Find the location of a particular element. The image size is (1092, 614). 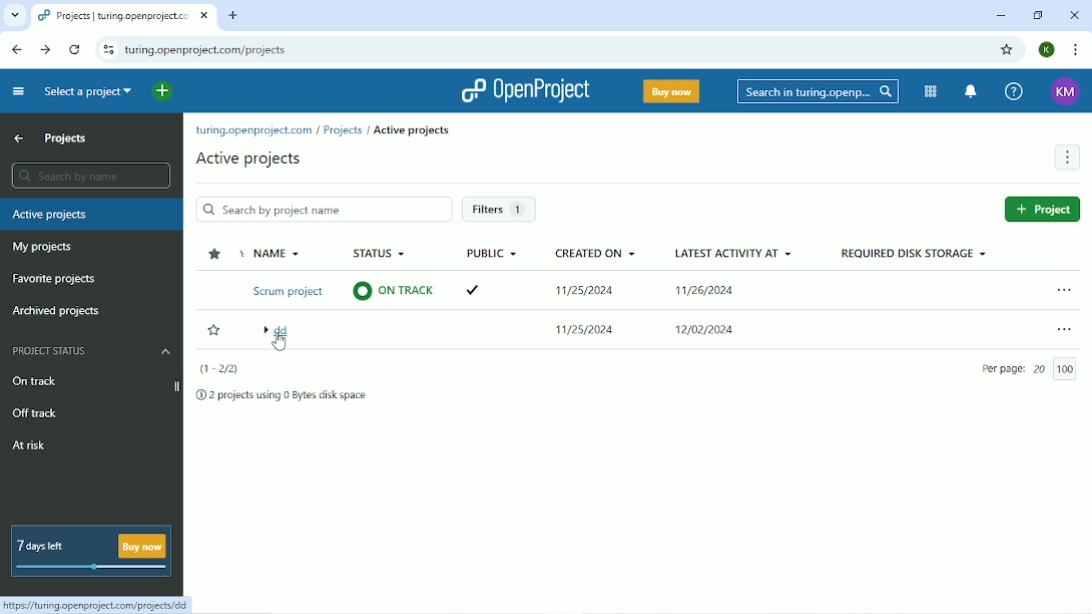

To notification center is located at coordinates (972, 91).